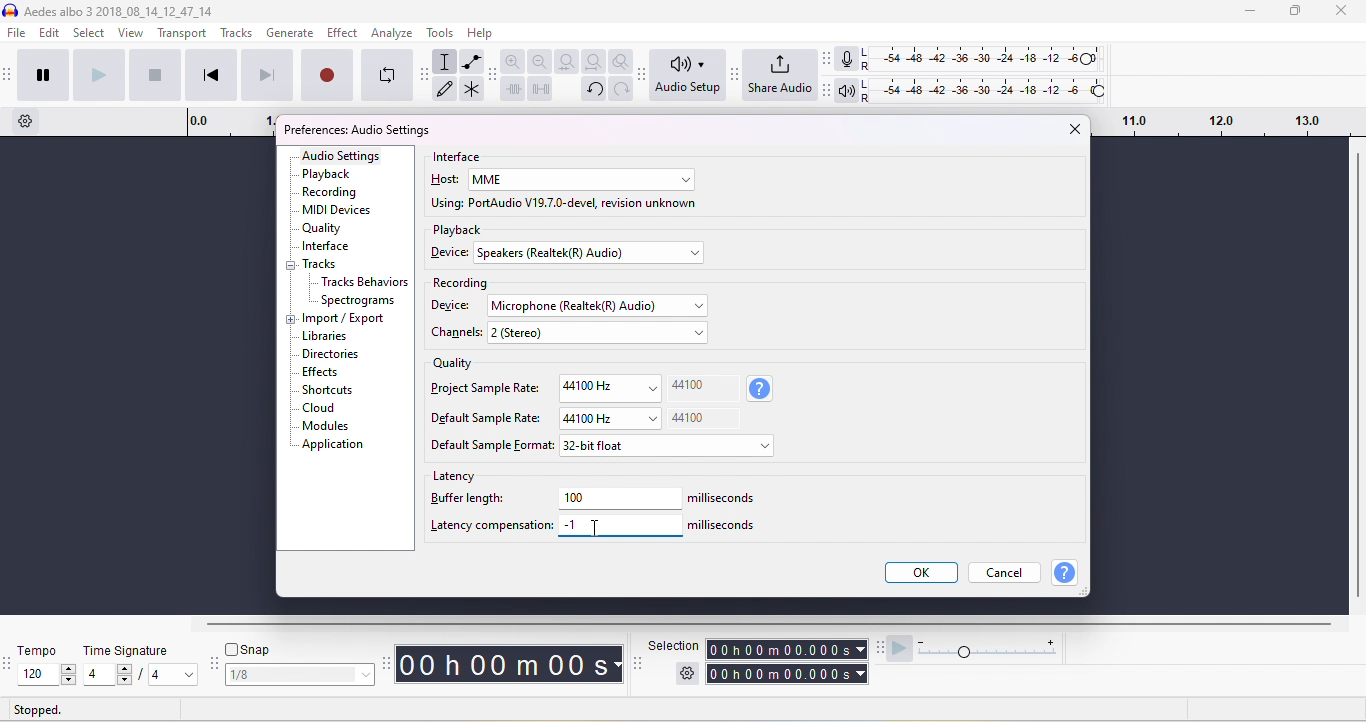 The width and height of the screenshot is (1366, 722). Describe the element at coordinates (492, 446) in the screenshot. I see `default sample format` at that location.